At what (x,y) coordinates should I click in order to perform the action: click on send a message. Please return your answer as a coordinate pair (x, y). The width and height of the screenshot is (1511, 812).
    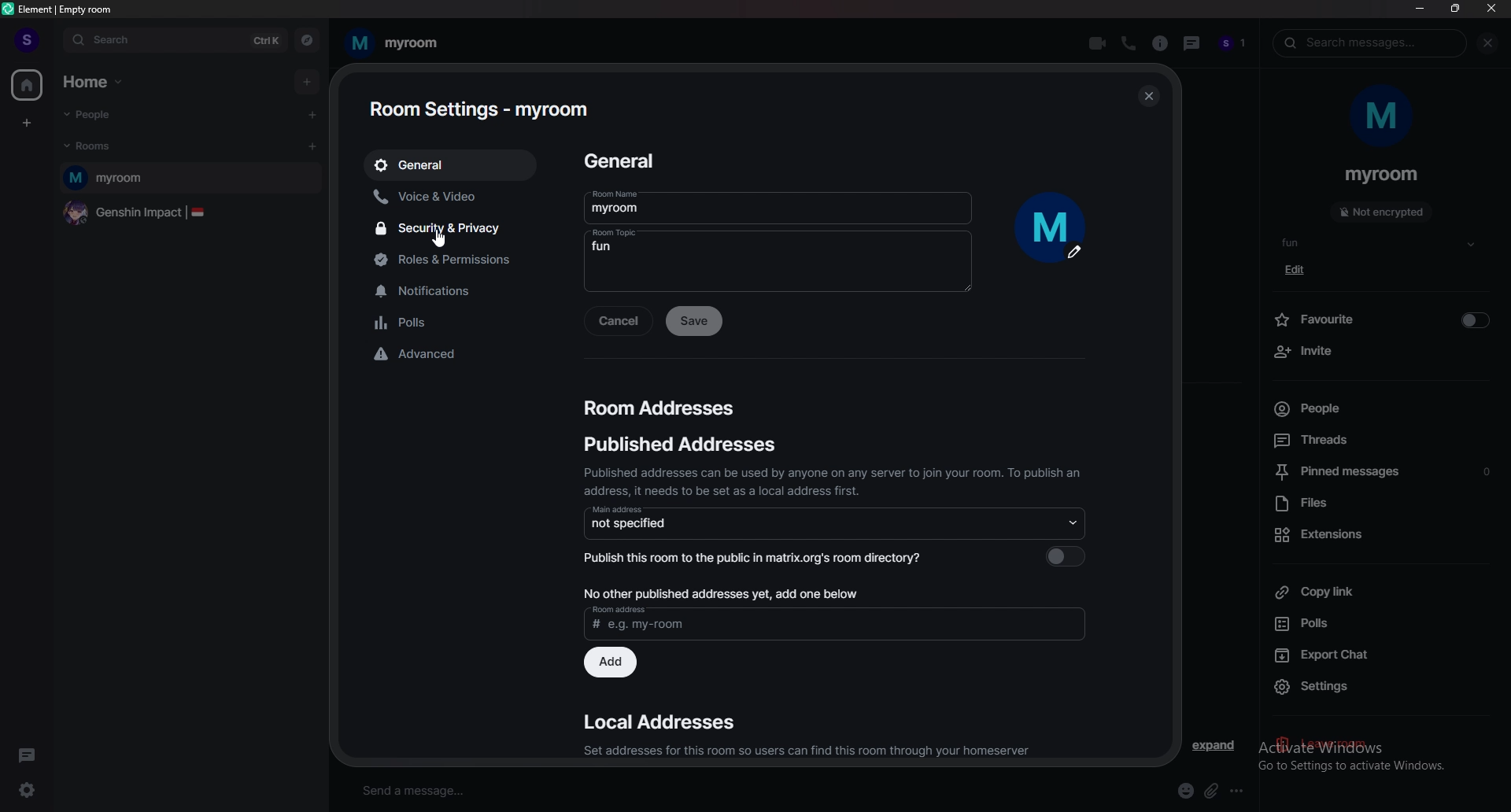
    Looking at the image, I should click on (484, 790).